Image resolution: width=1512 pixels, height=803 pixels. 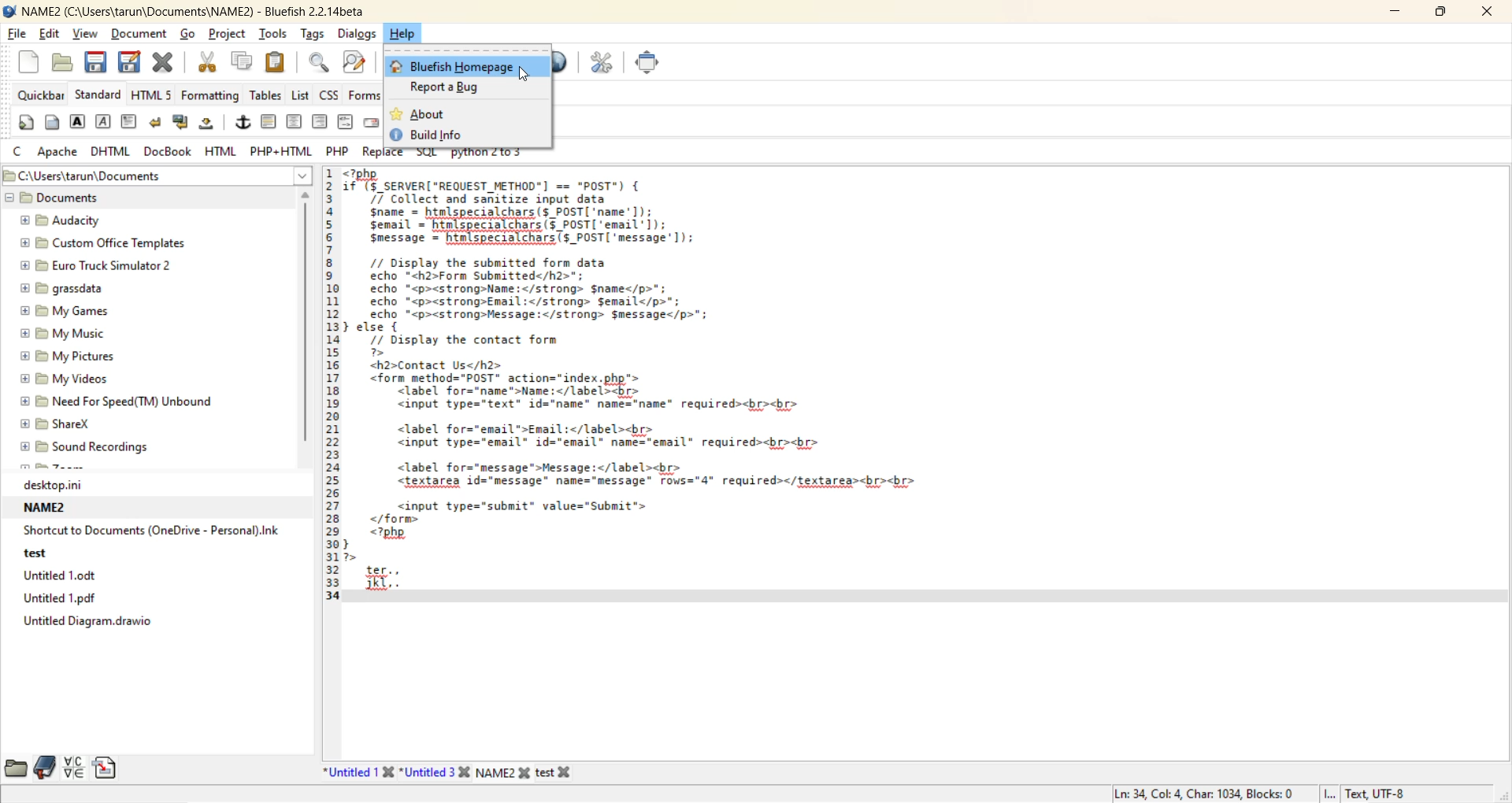 I want to click on vertical scroll bar, so click(x=305, y=323).